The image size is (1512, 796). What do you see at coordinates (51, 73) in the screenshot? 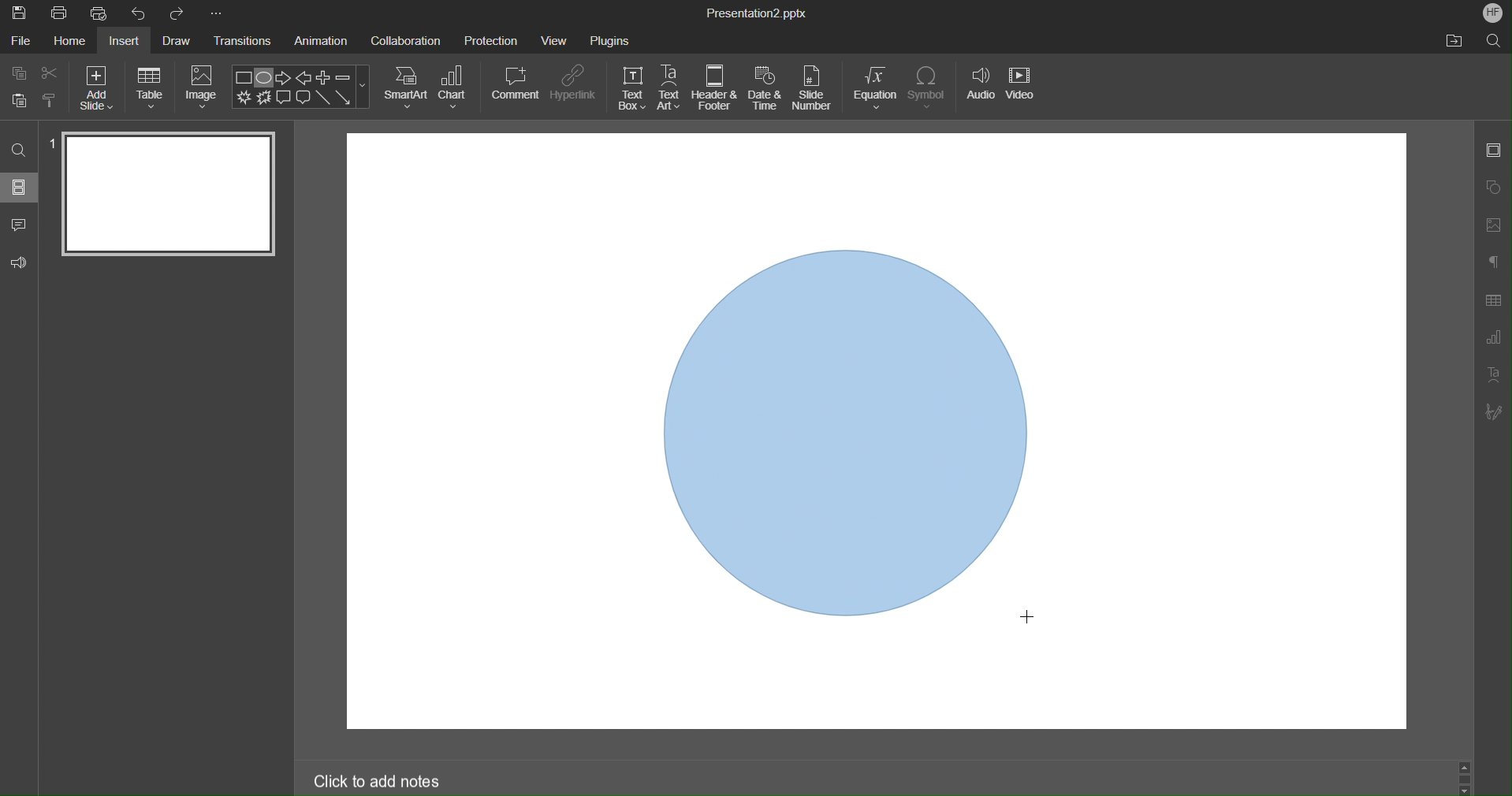
I see `Cut` at bounding box center [51, 73].